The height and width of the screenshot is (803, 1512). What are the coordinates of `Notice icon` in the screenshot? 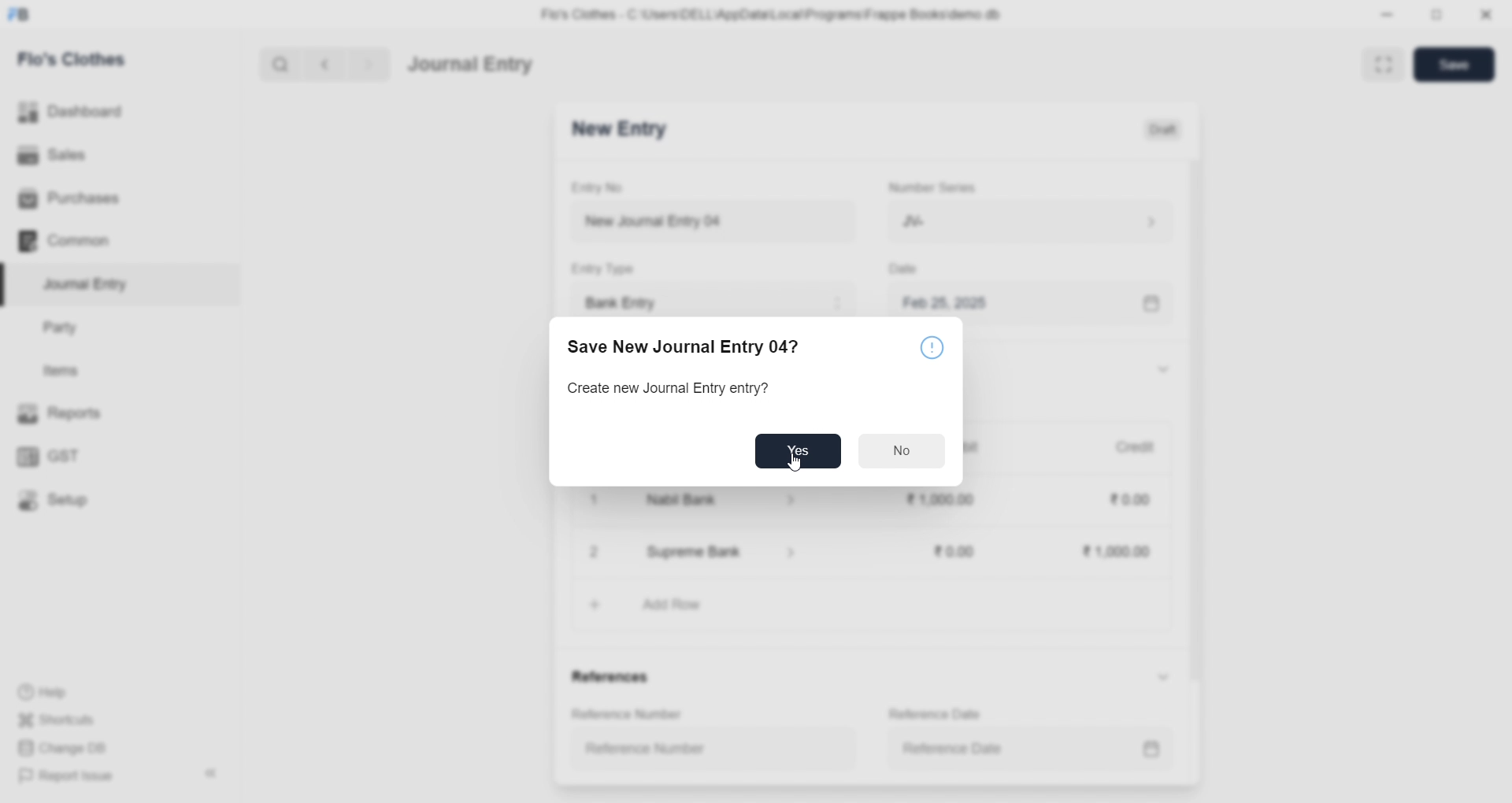 It's located at (935, 348).